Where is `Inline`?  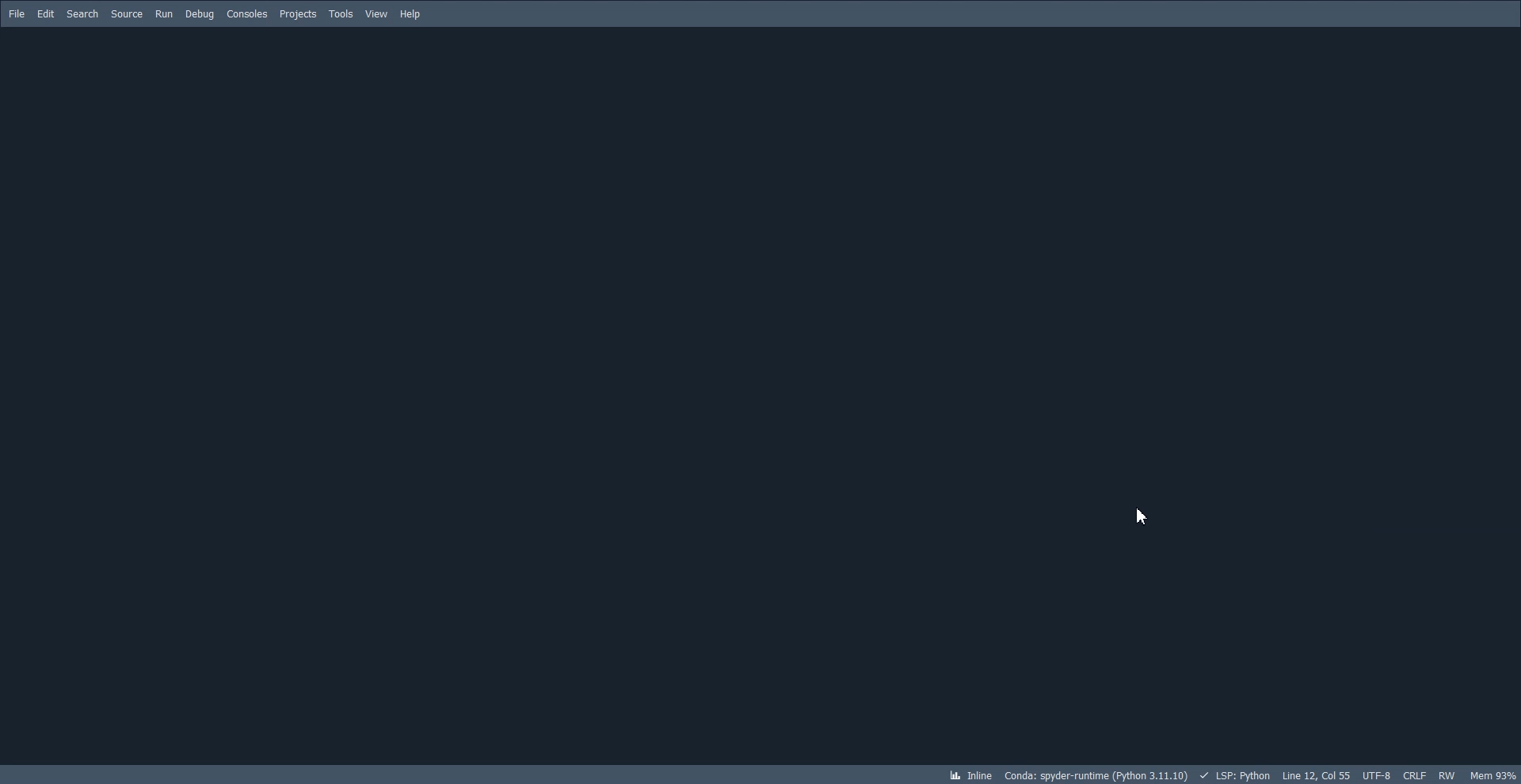 Inline is located at coordinates (970, 774).